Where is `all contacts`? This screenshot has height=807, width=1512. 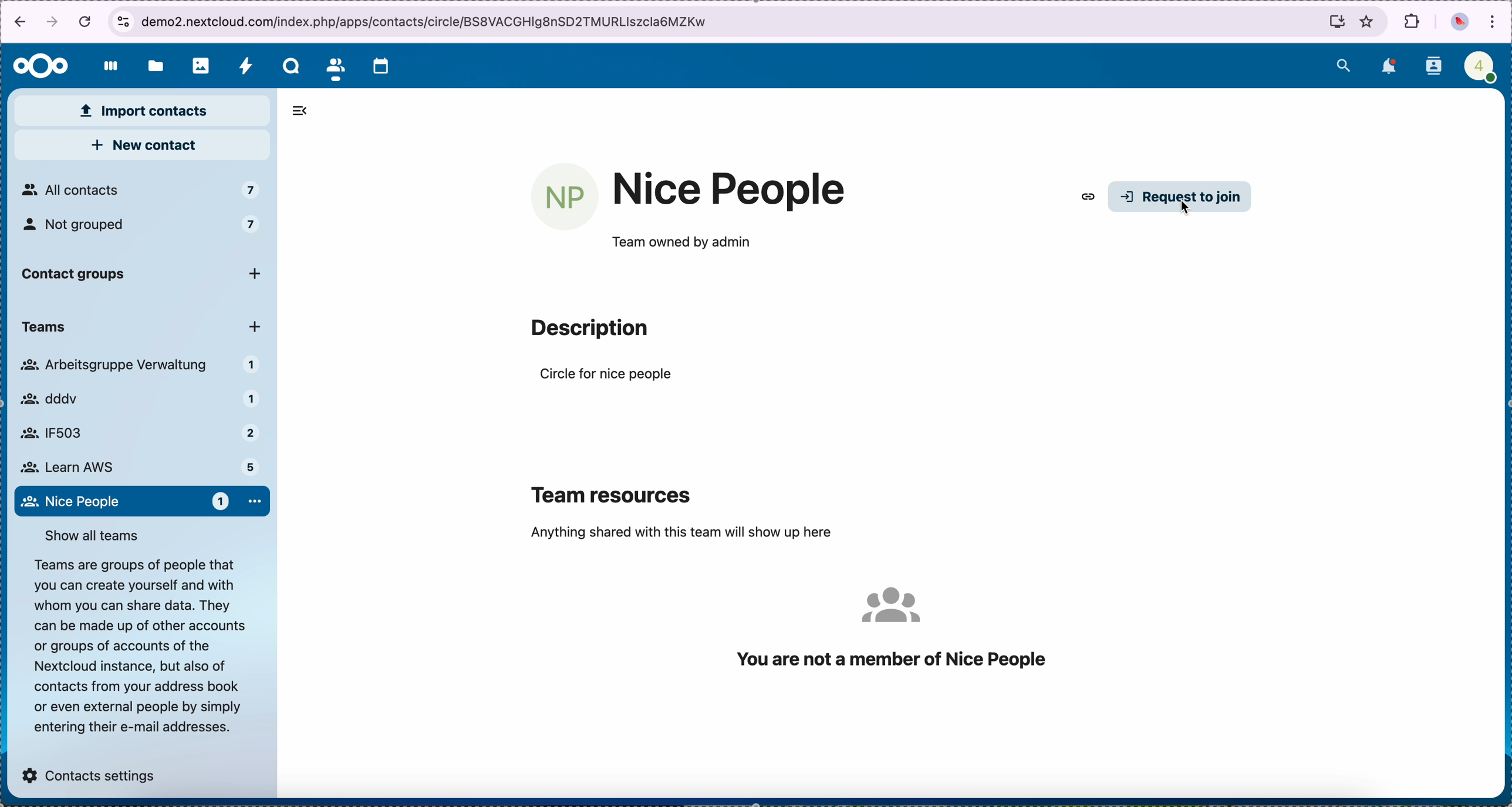 all contacts is located at coordinates (140, 190).